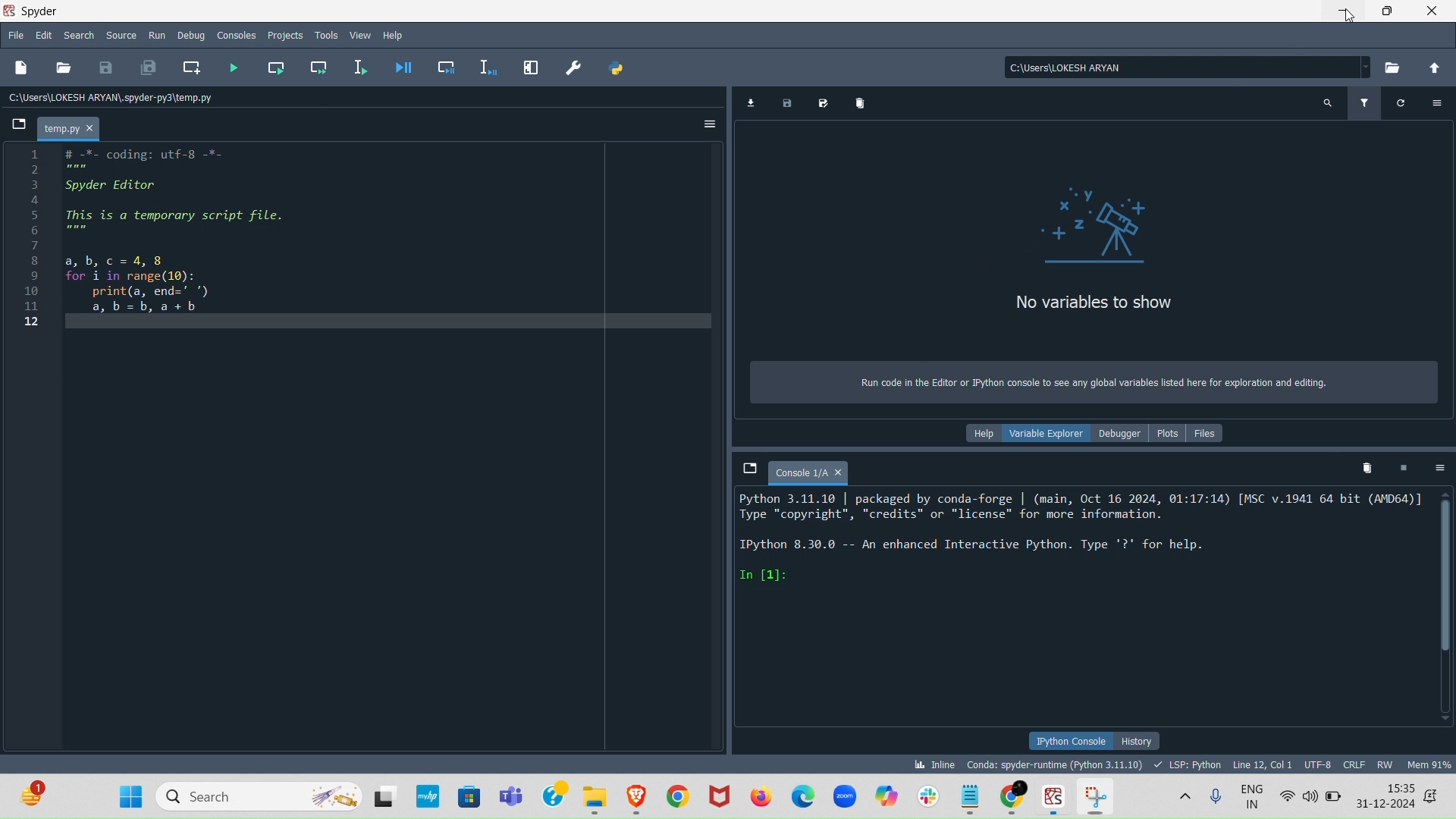  What do you see at coordinates (278, 65) in the screenshot?
I see `Run current cell (Ctrl + Return)` at bounding box center [278, 65].